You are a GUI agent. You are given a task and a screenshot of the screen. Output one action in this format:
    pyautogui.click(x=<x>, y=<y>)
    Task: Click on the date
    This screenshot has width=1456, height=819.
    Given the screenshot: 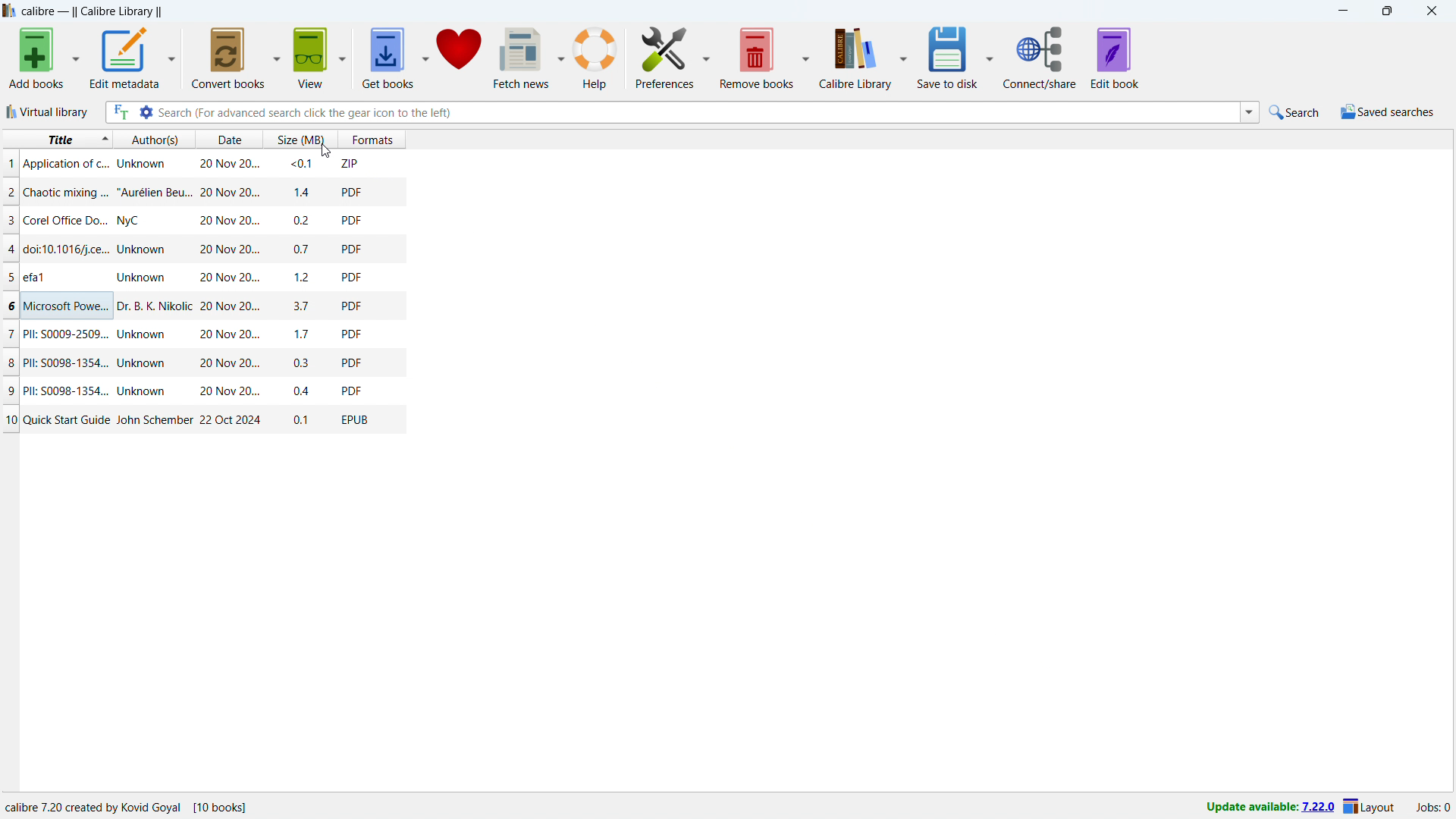 What is the action you would take?
    pyautogui.click(x=230, y=308)
    